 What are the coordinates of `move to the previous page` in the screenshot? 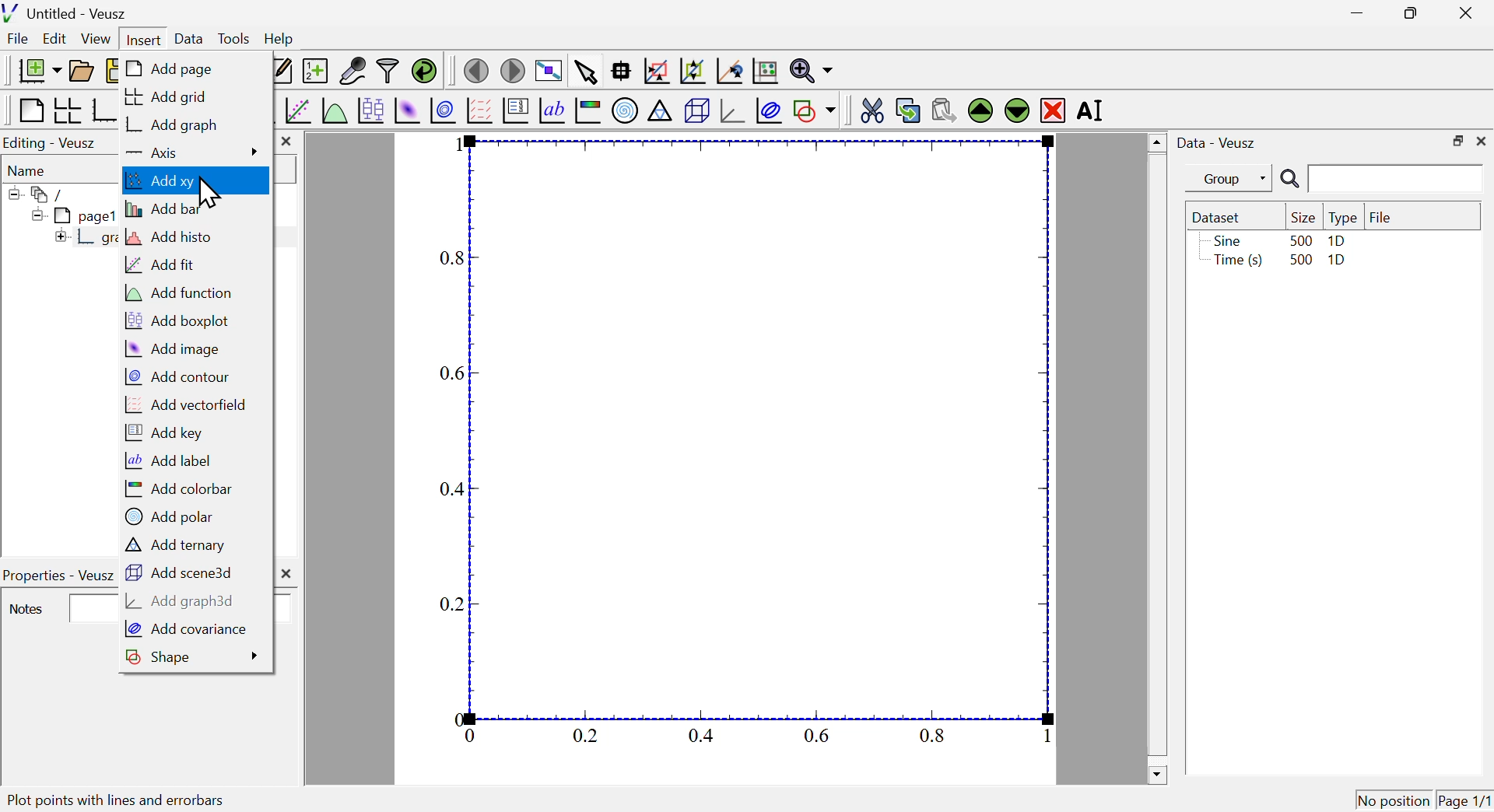 It's located at (475, 69).